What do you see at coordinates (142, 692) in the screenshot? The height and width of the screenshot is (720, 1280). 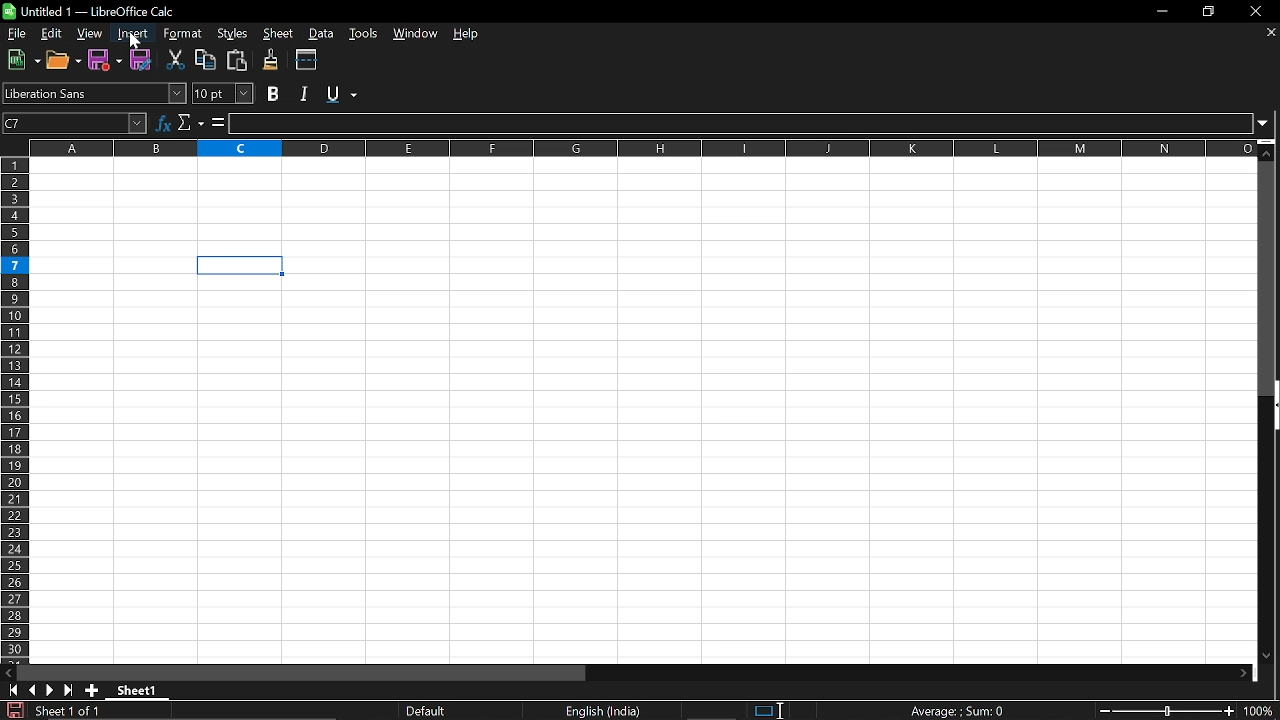 I see `Current sheet` at bounding box center [142, 692].